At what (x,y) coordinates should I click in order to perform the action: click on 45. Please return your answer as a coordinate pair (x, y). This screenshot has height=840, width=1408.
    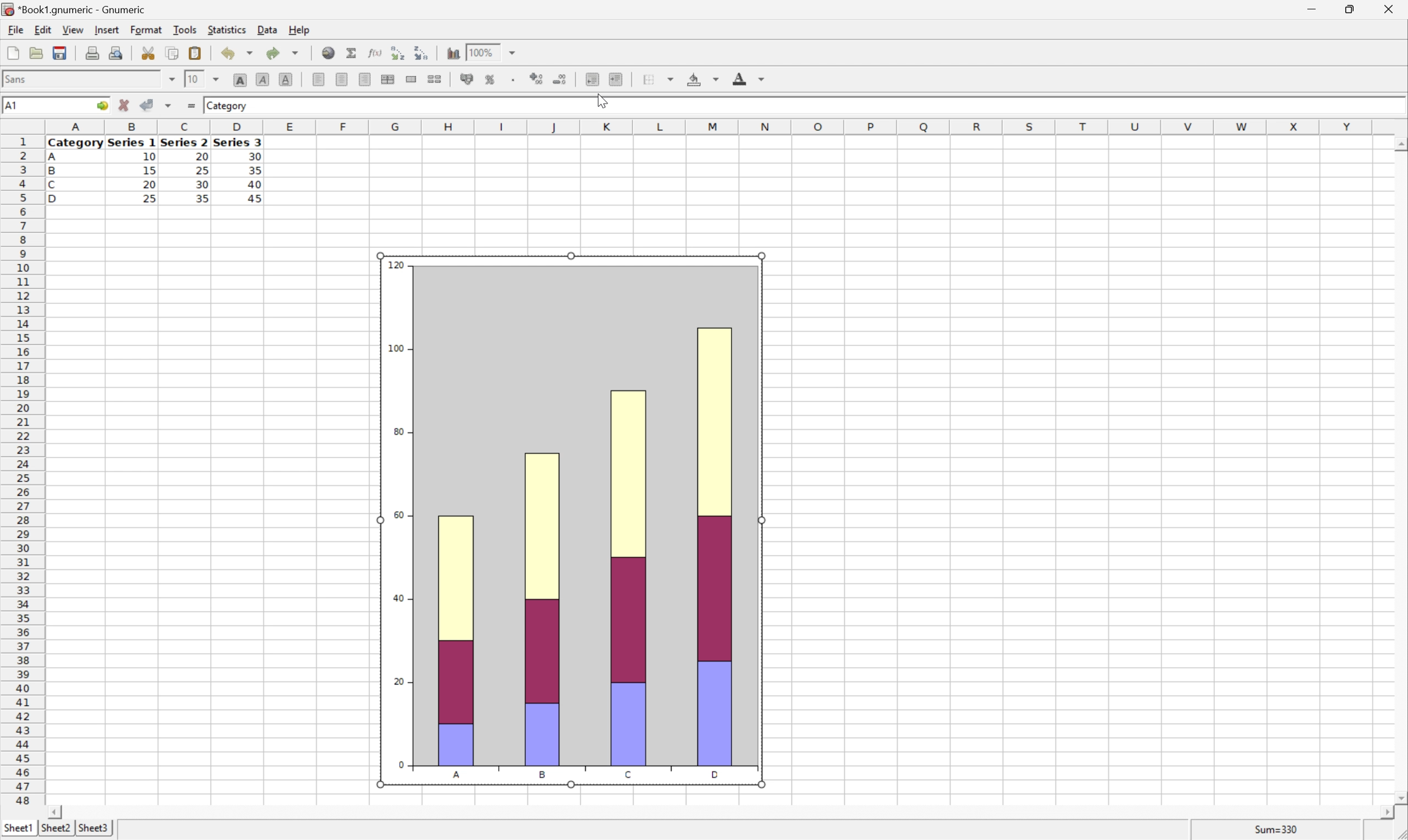
    Looking at the image, I should click on (260, 199).